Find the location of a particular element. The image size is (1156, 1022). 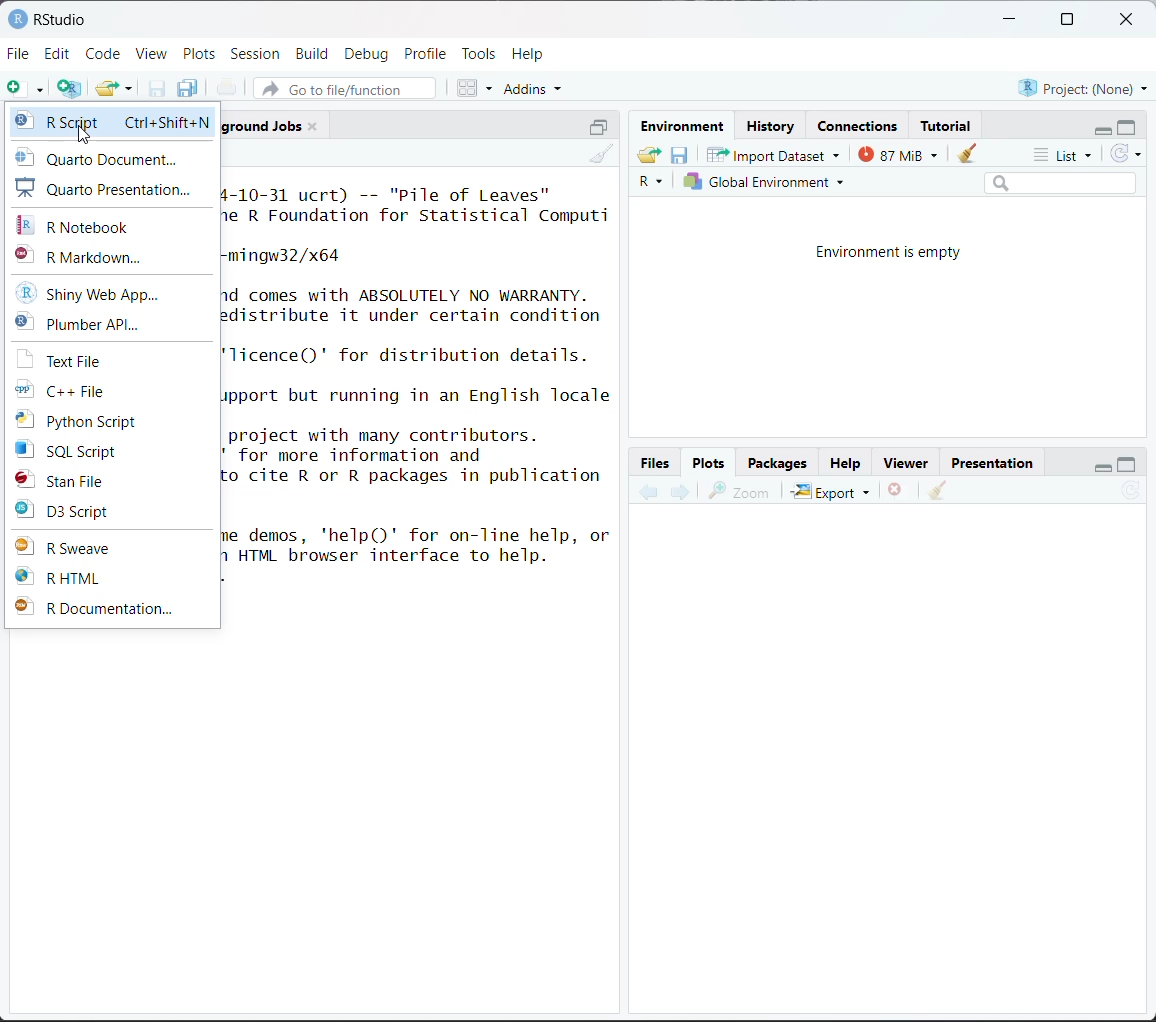

Environment is empty is located at coordinates (890, 253).